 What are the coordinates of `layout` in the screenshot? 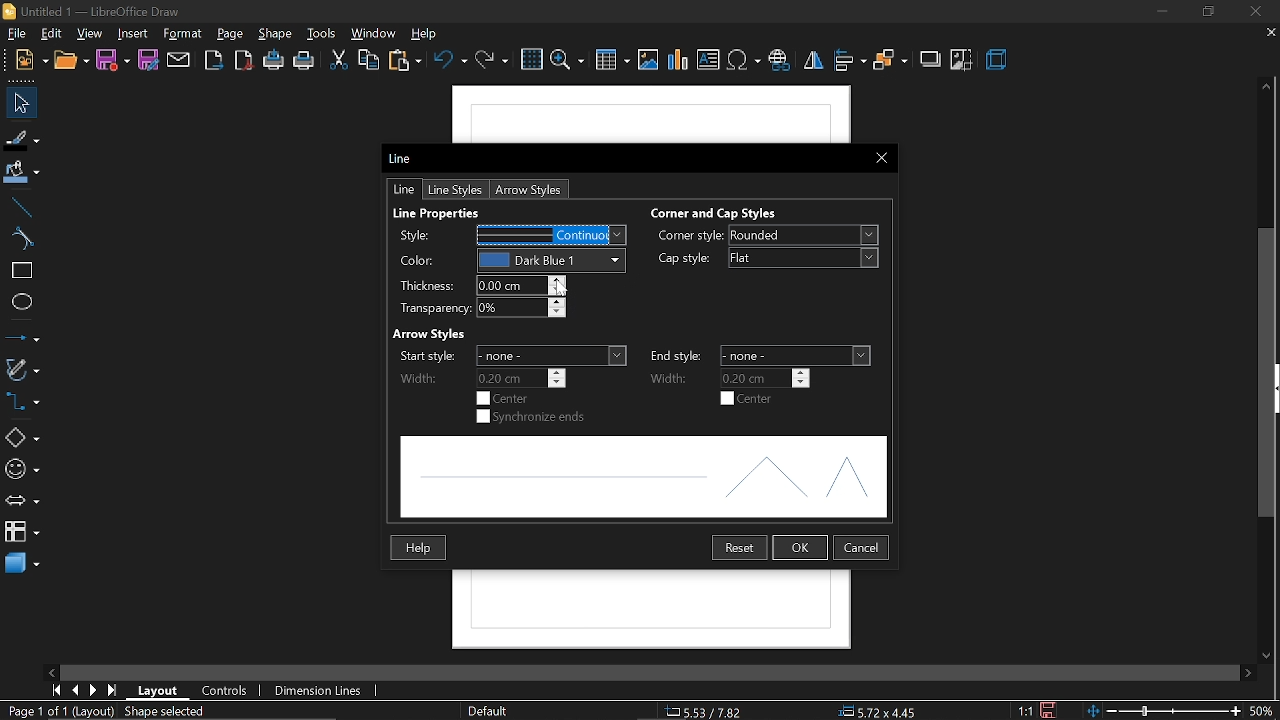 It's located at (162, 691).